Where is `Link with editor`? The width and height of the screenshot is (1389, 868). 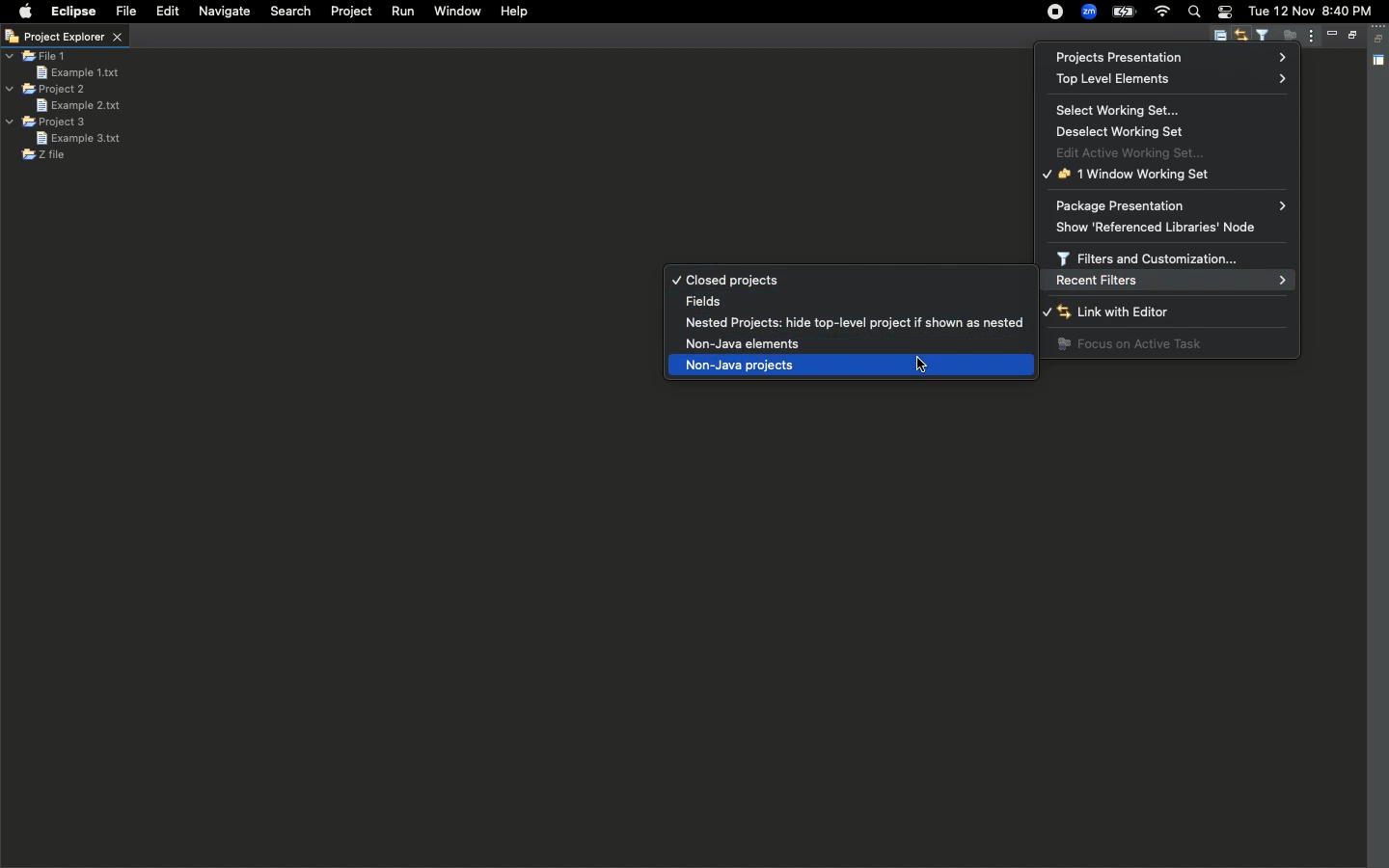 Link with editor is located at coordinates (1243, 37).